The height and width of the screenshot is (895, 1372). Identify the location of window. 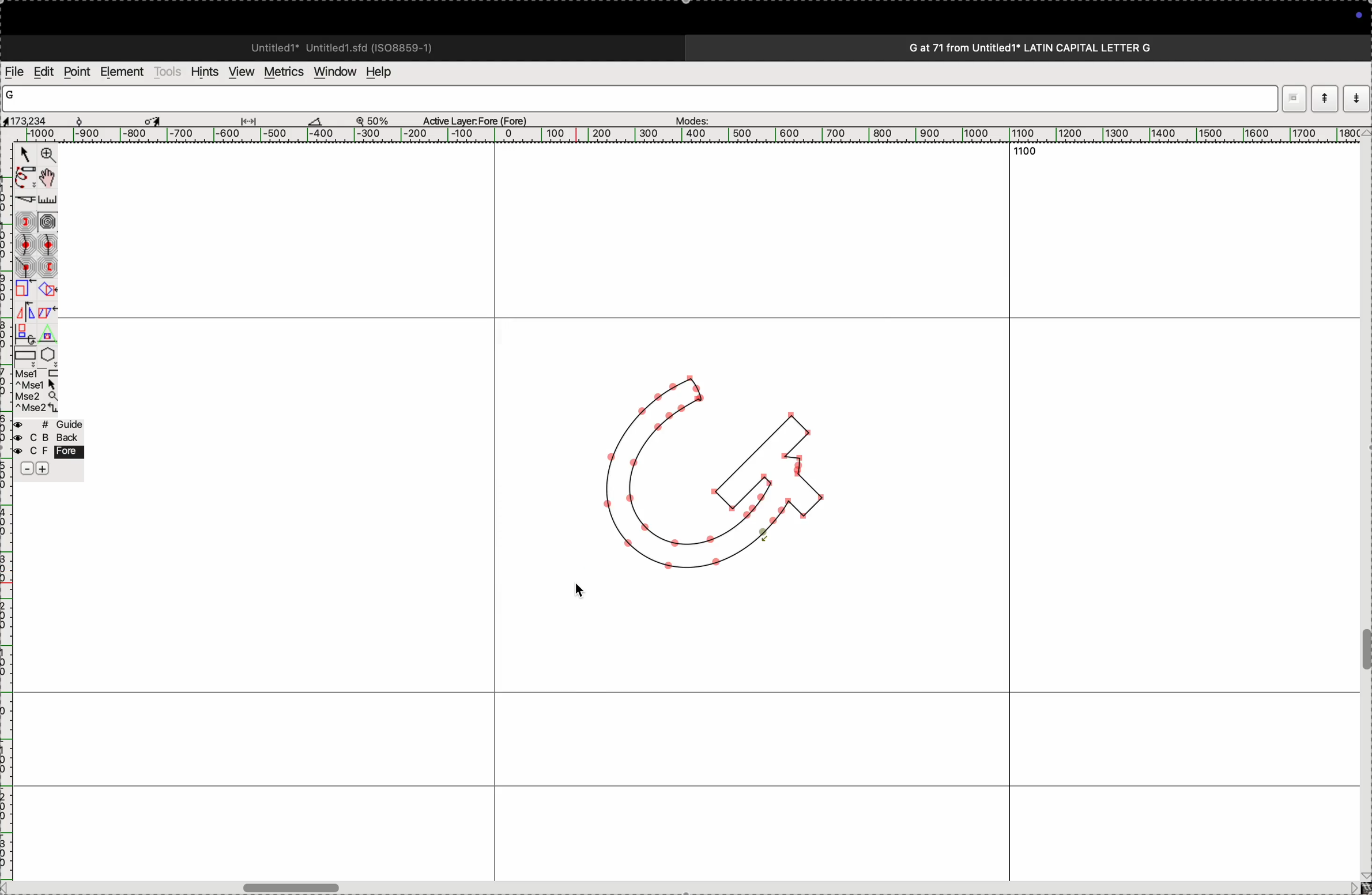
(336, 73).